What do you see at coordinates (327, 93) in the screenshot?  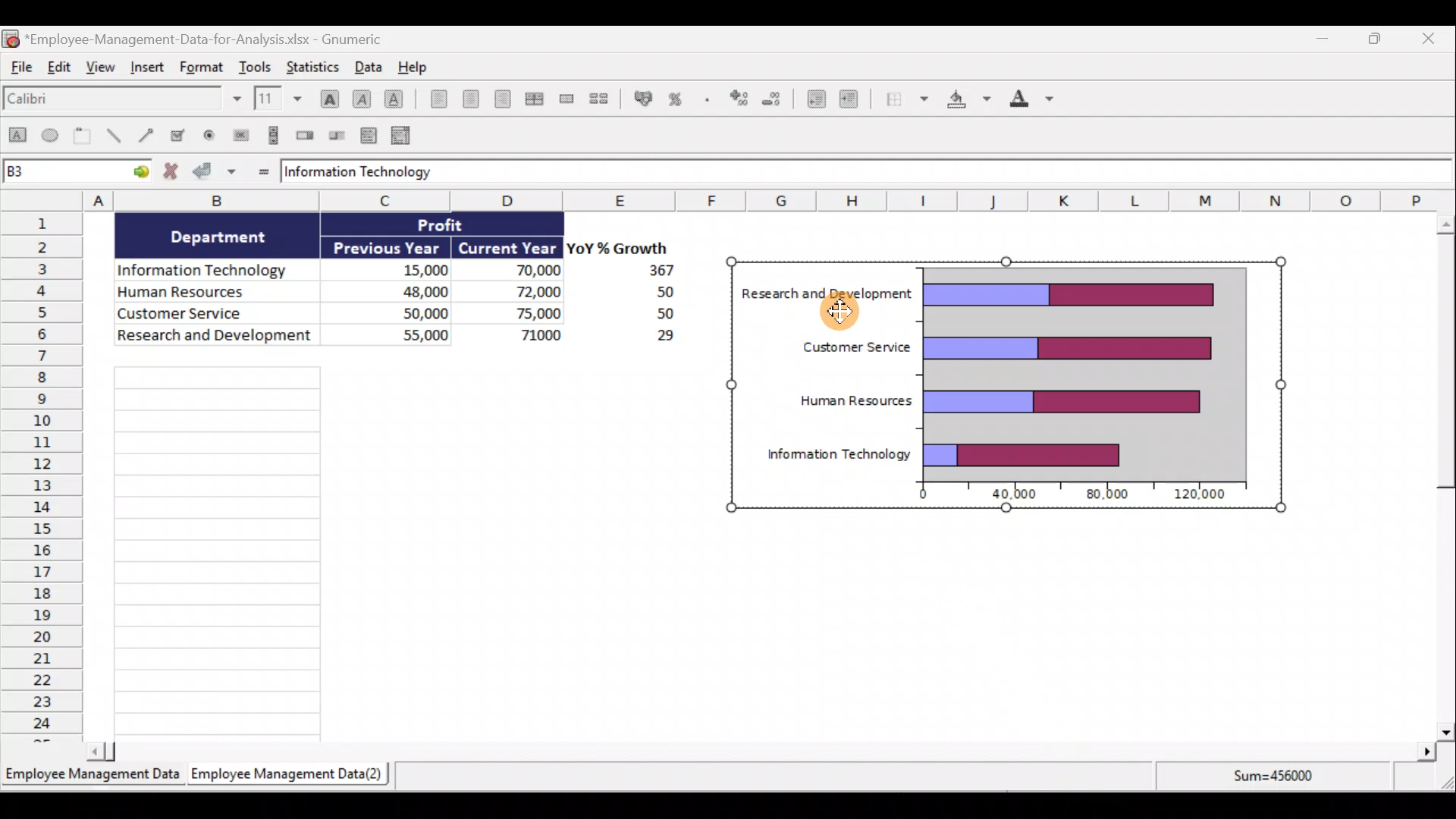 I see `Bold` at bounding box center [327, 93].